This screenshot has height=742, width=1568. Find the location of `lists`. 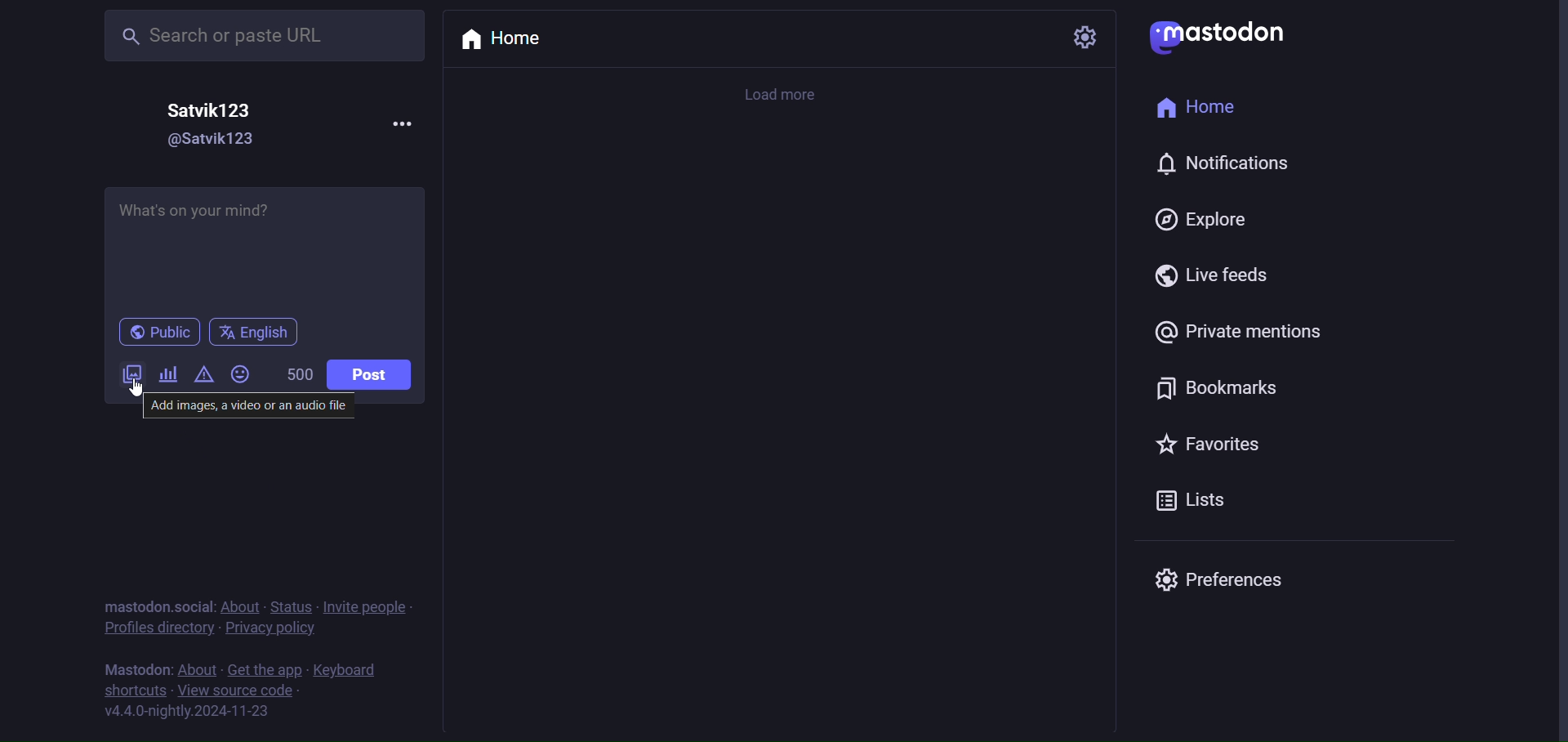

lists is located at coordinates (1192, 503).